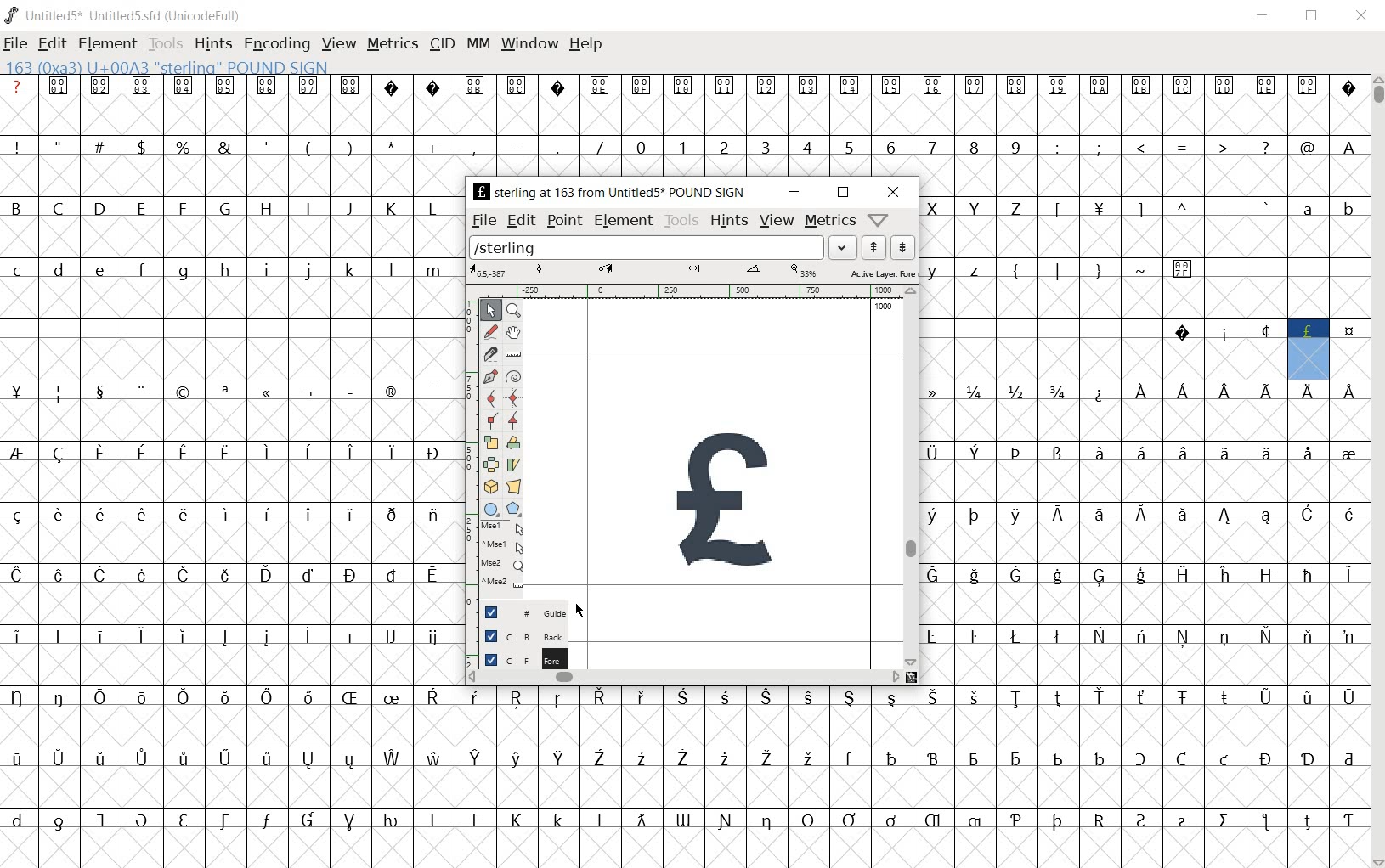 This screenshot has height=868, width=1385. I want to click on Symbol, so click(100, 575).